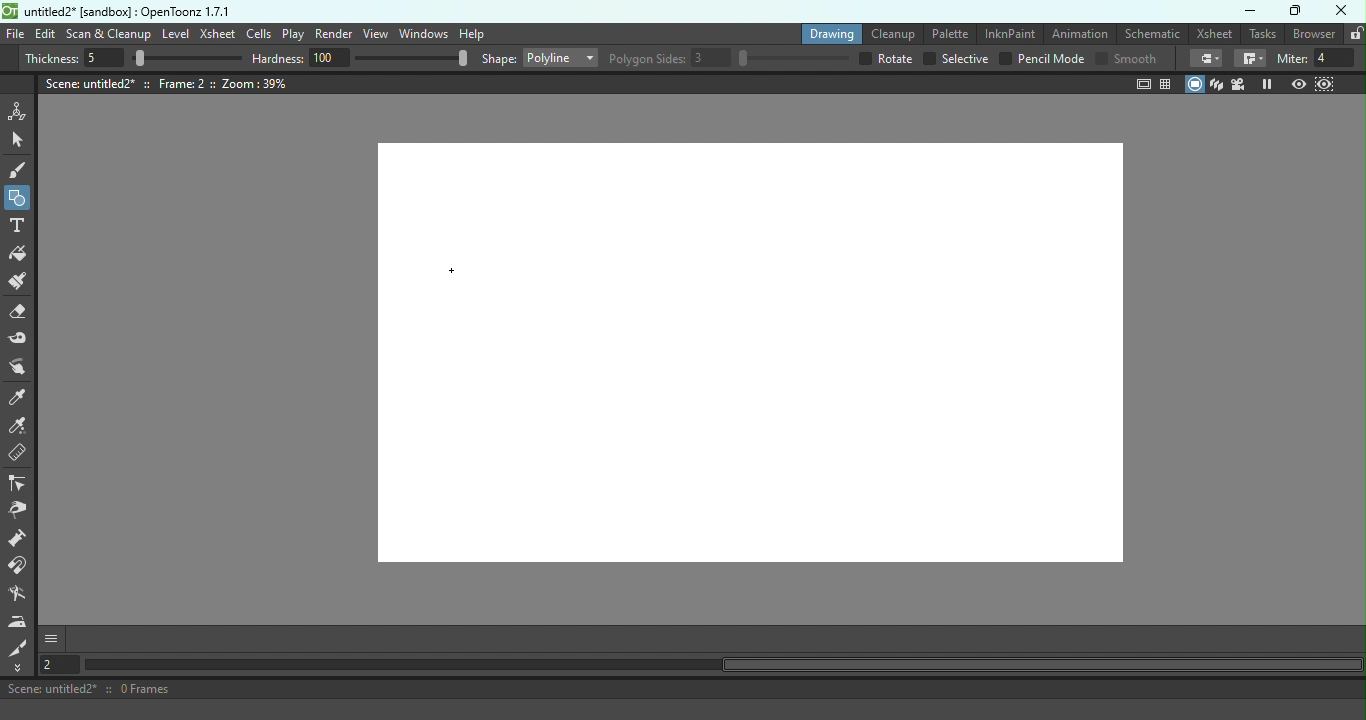 This screenshot has width=1366, height=720. I want to click on Edit, so click(46, 35).